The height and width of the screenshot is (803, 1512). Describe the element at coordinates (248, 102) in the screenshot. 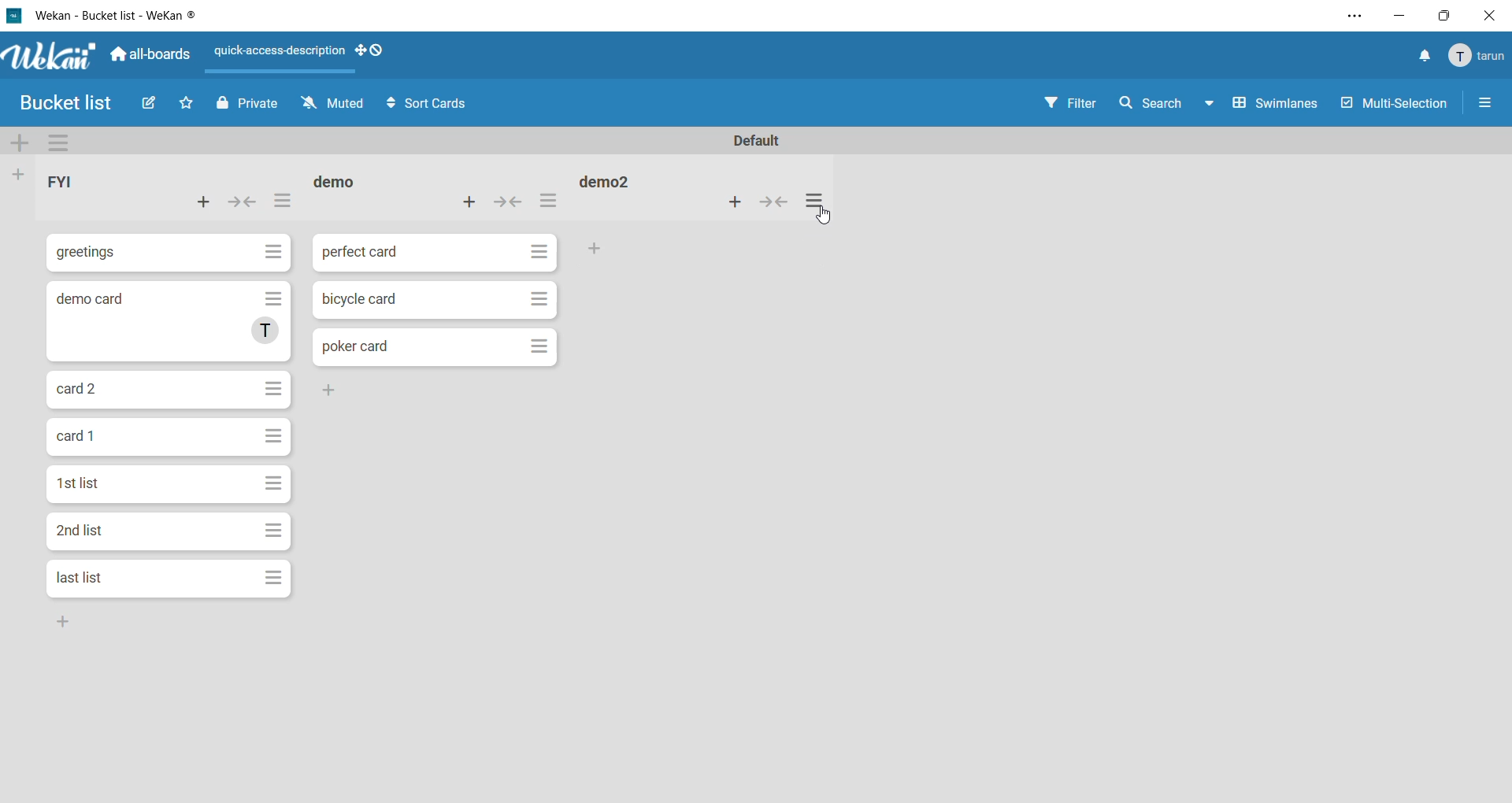

I see `Private` at that location.